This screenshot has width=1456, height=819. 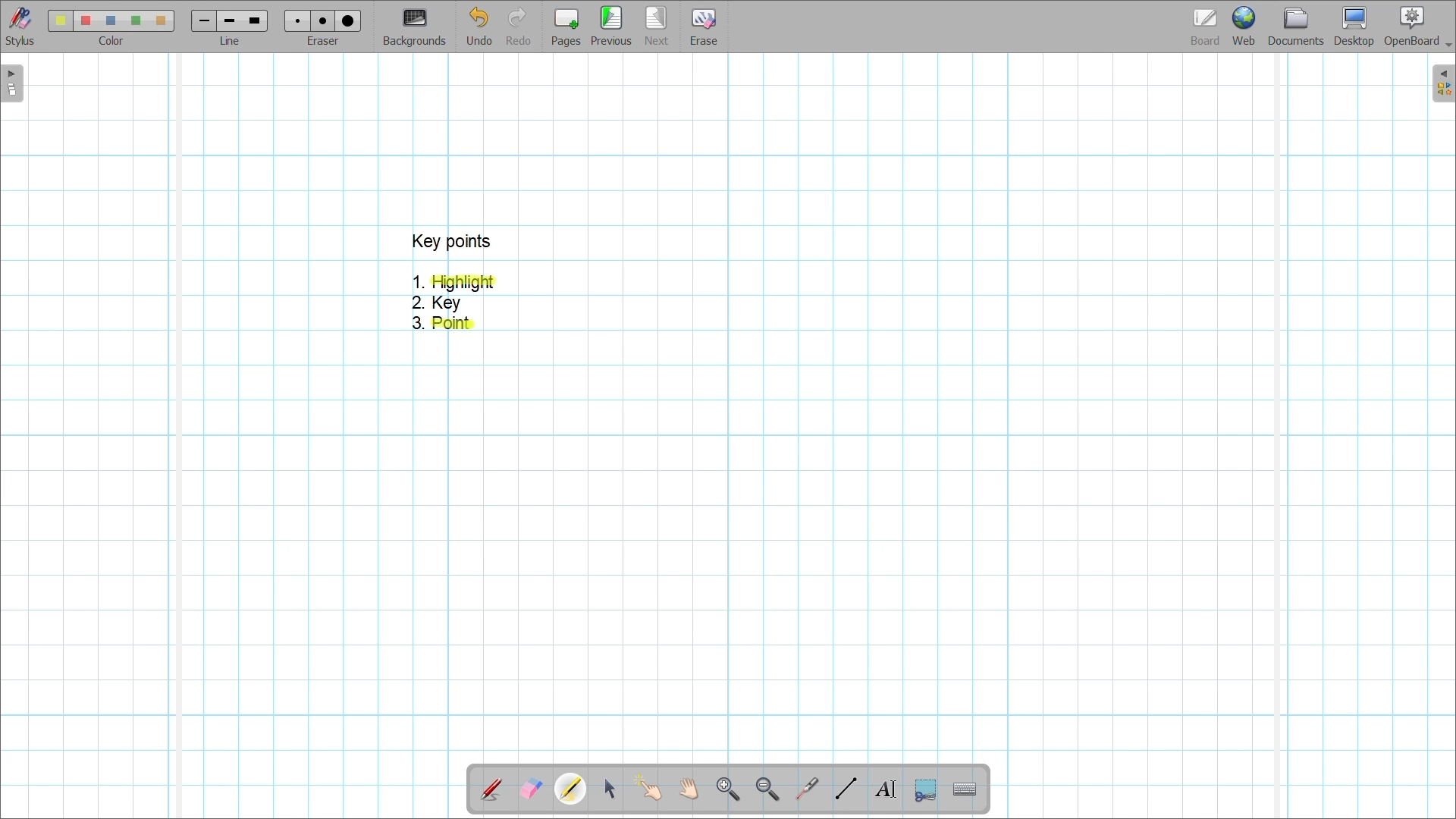 What do you see at coordinates (60, 20) in the screenshot?
I see `Color 1` at bounding box center [60, 20].